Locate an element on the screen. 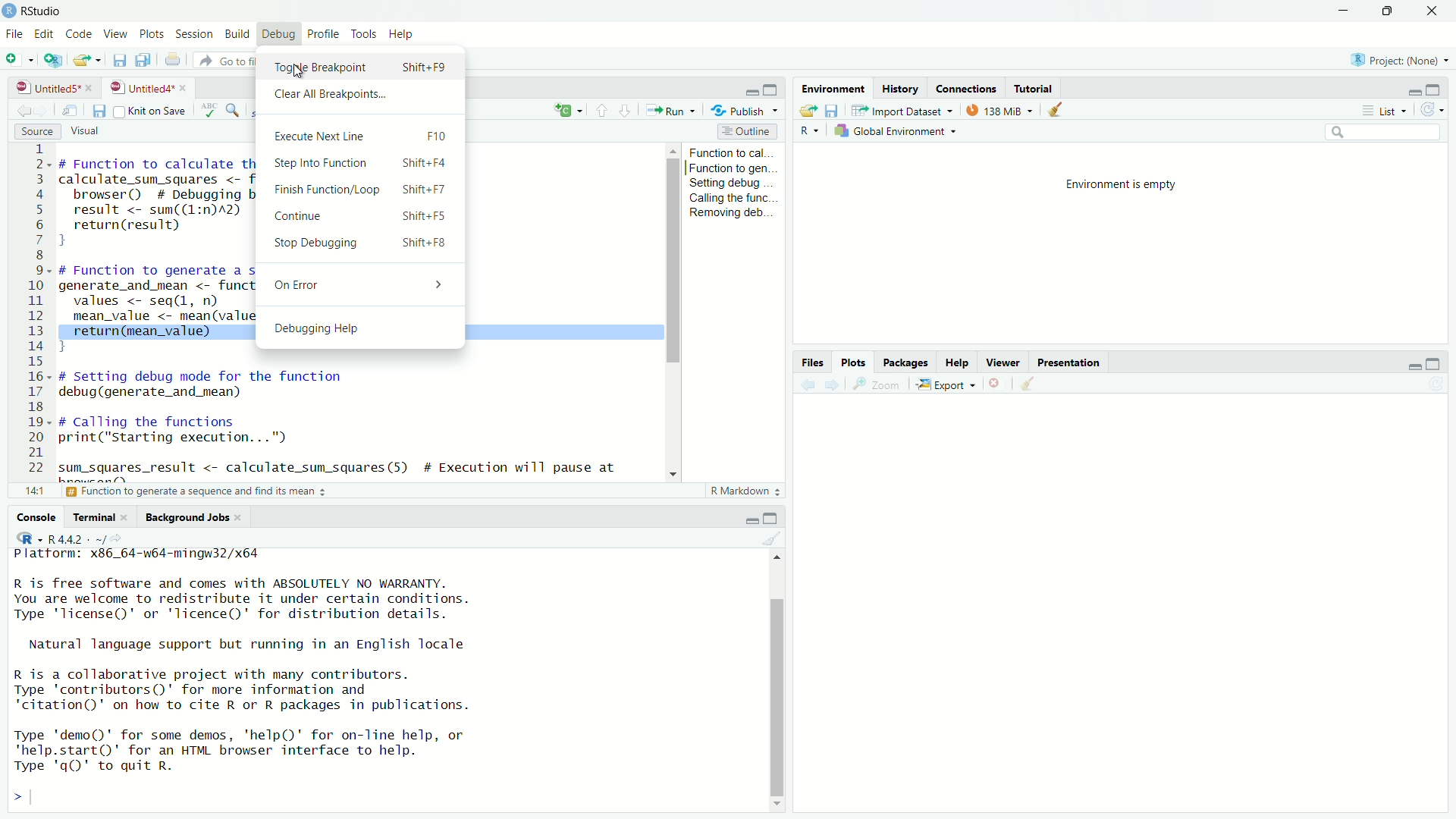 This screenshot has height=819, width=1456. session is located at coordinates (194, 33).